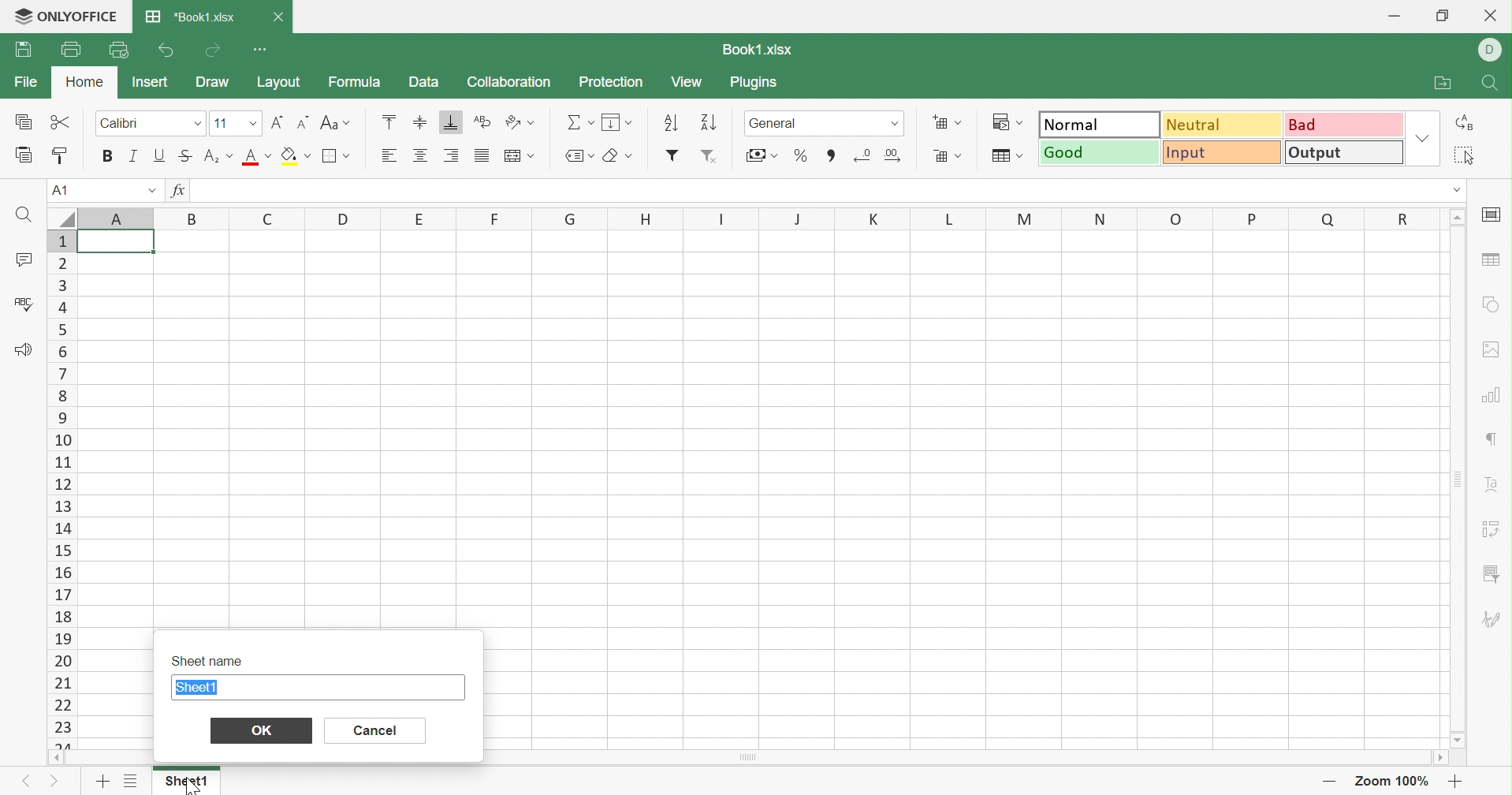  What do you see at coordinates (63, 121) in the screenshot?
I see `Cut` at bounding box center [63, 121].